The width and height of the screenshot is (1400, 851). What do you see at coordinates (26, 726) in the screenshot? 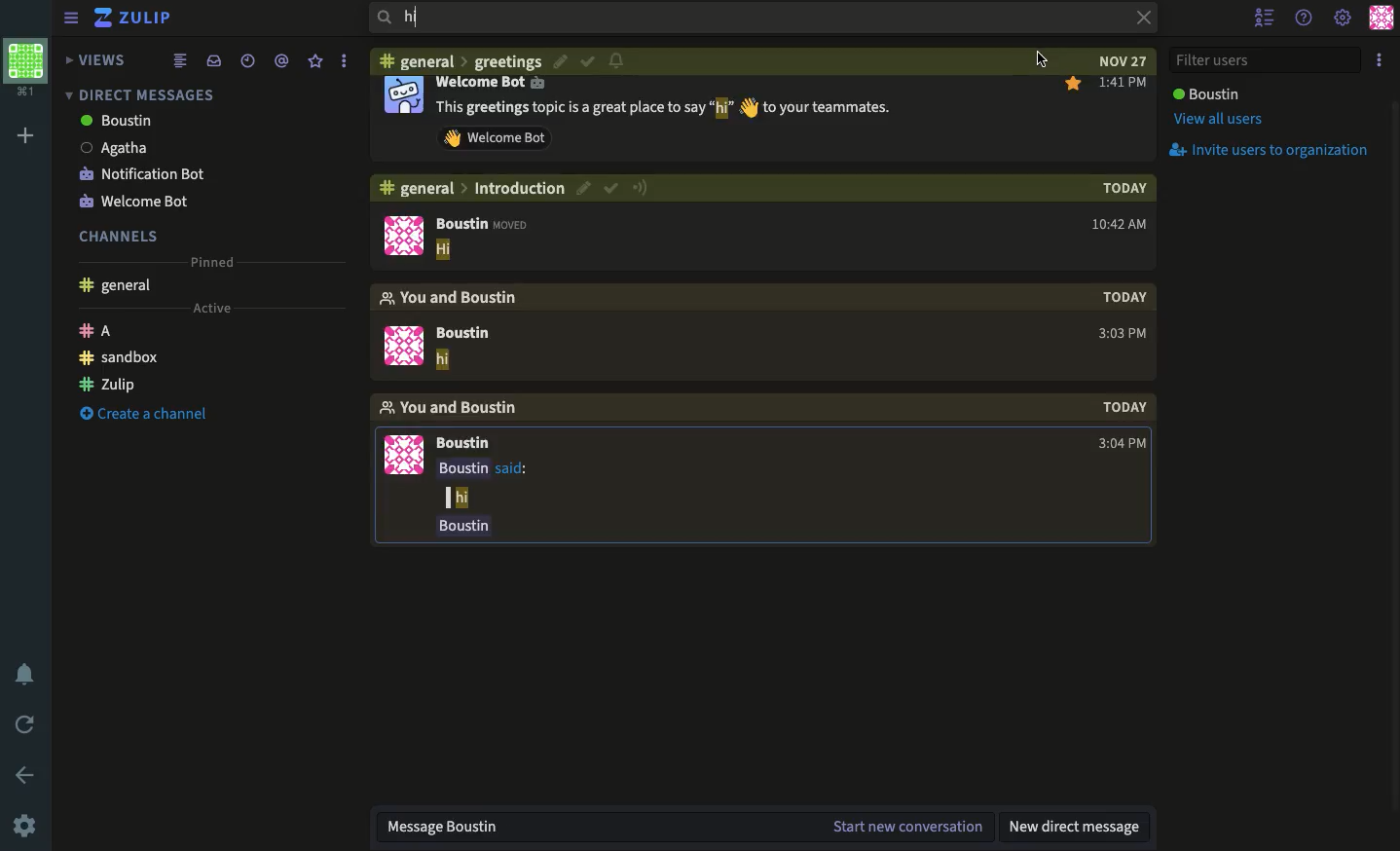
I see `Refresh` at bounding box center [26, 726].